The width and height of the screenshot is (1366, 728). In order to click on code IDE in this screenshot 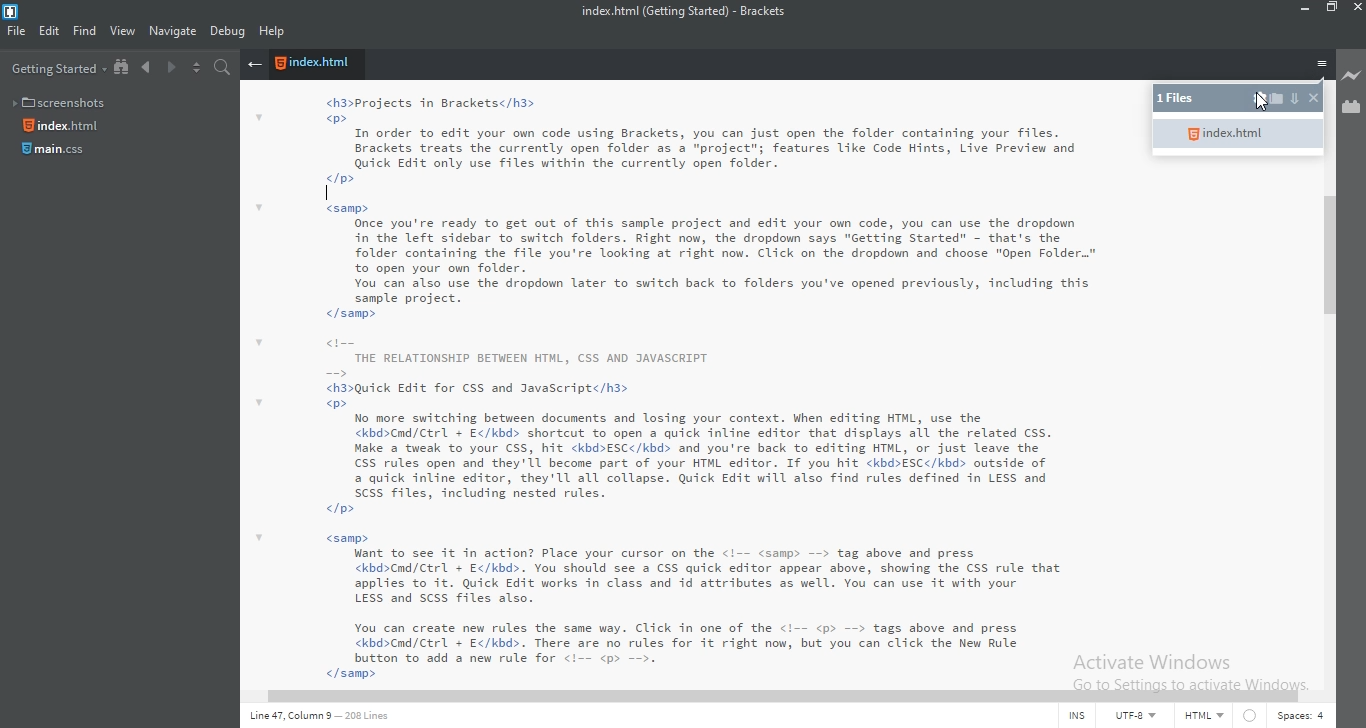, I will do `click(679, 386)`.